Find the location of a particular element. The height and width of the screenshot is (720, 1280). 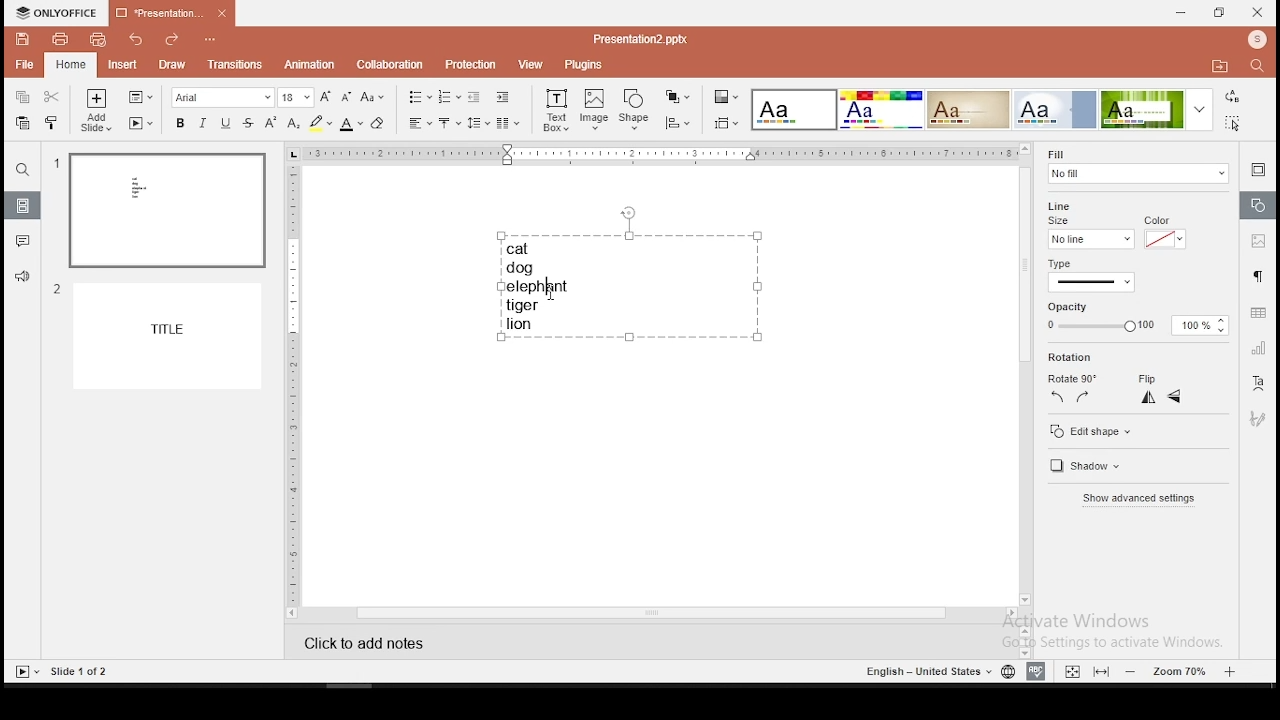

fit to slide is located at coordinates (1100, 671).